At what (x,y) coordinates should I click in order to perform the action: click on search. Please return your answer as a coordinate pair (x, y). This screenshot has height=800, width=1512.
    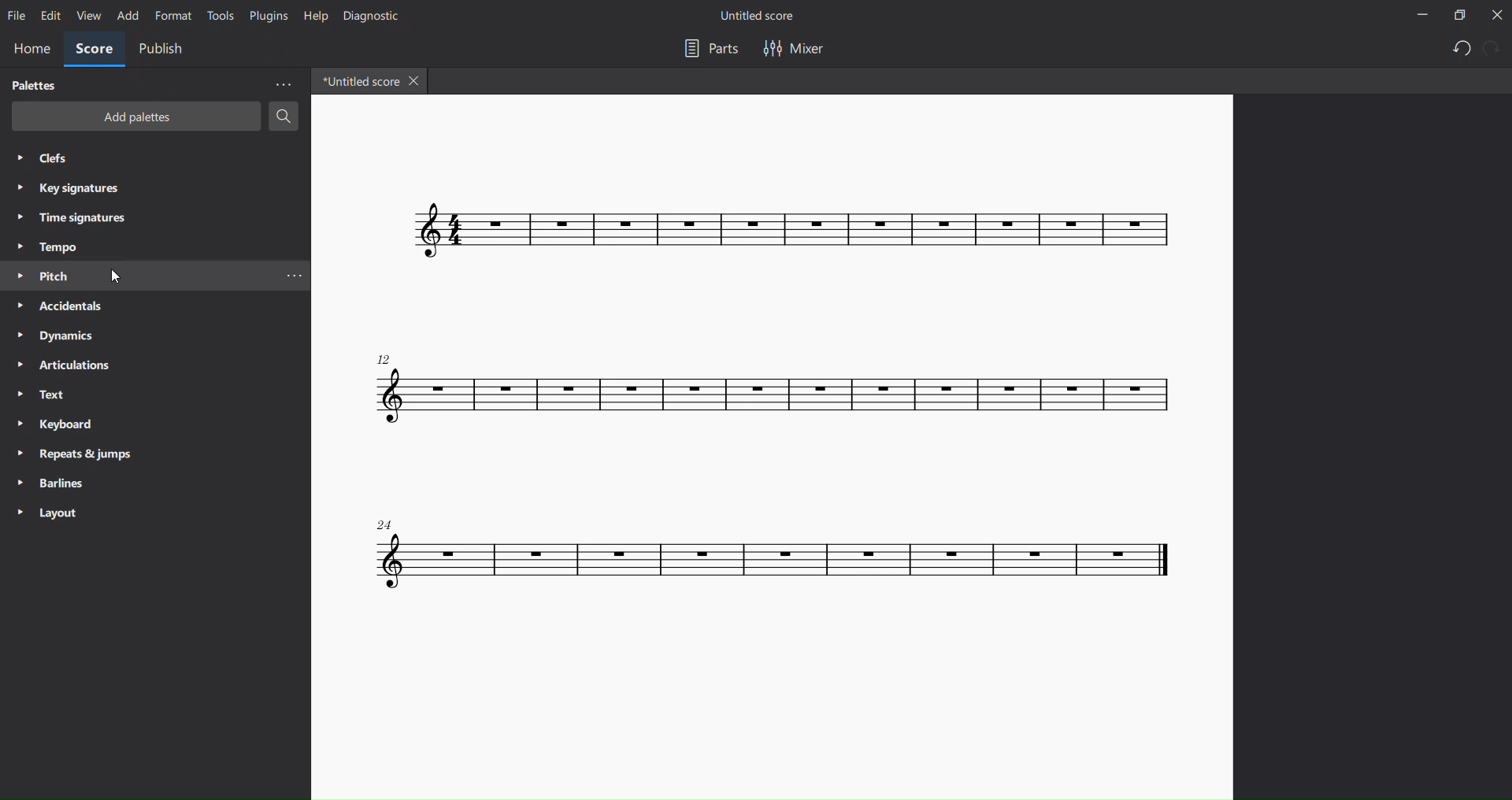
    Looking at the image, I should click on (284, 117).